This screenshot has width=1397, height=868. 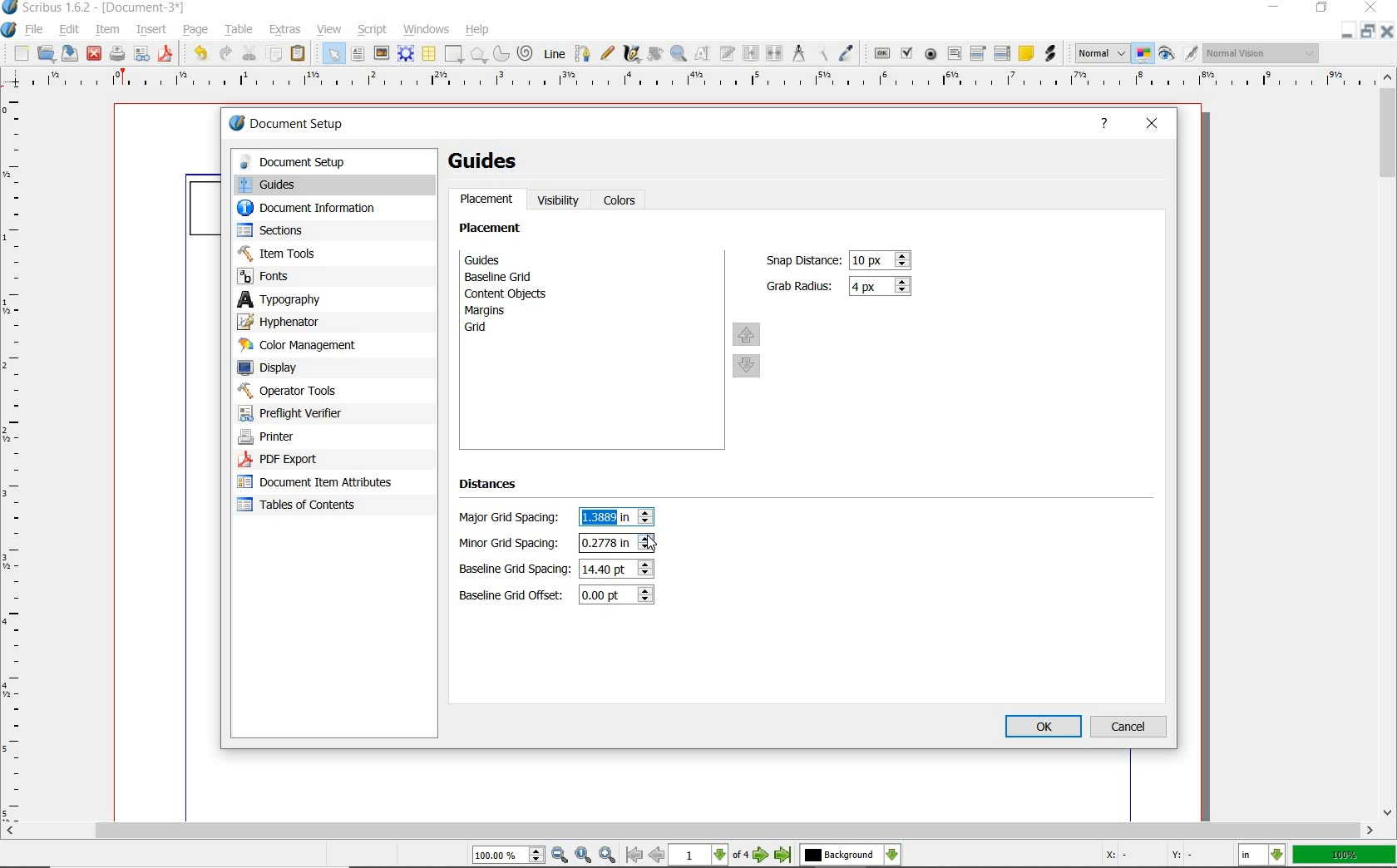 I want to click on script, so click(x=373, y=29).